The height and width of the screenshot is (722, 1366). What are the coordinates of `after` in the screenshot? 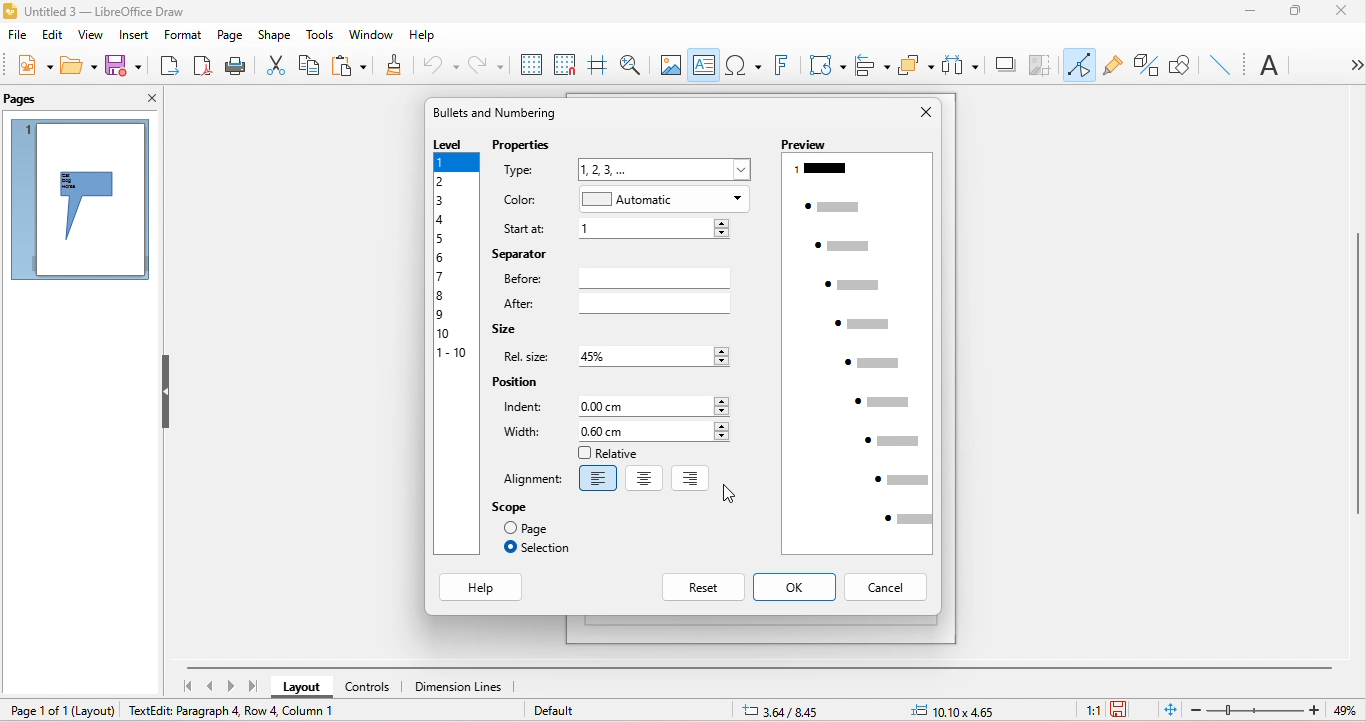 It's located at (614, 302).